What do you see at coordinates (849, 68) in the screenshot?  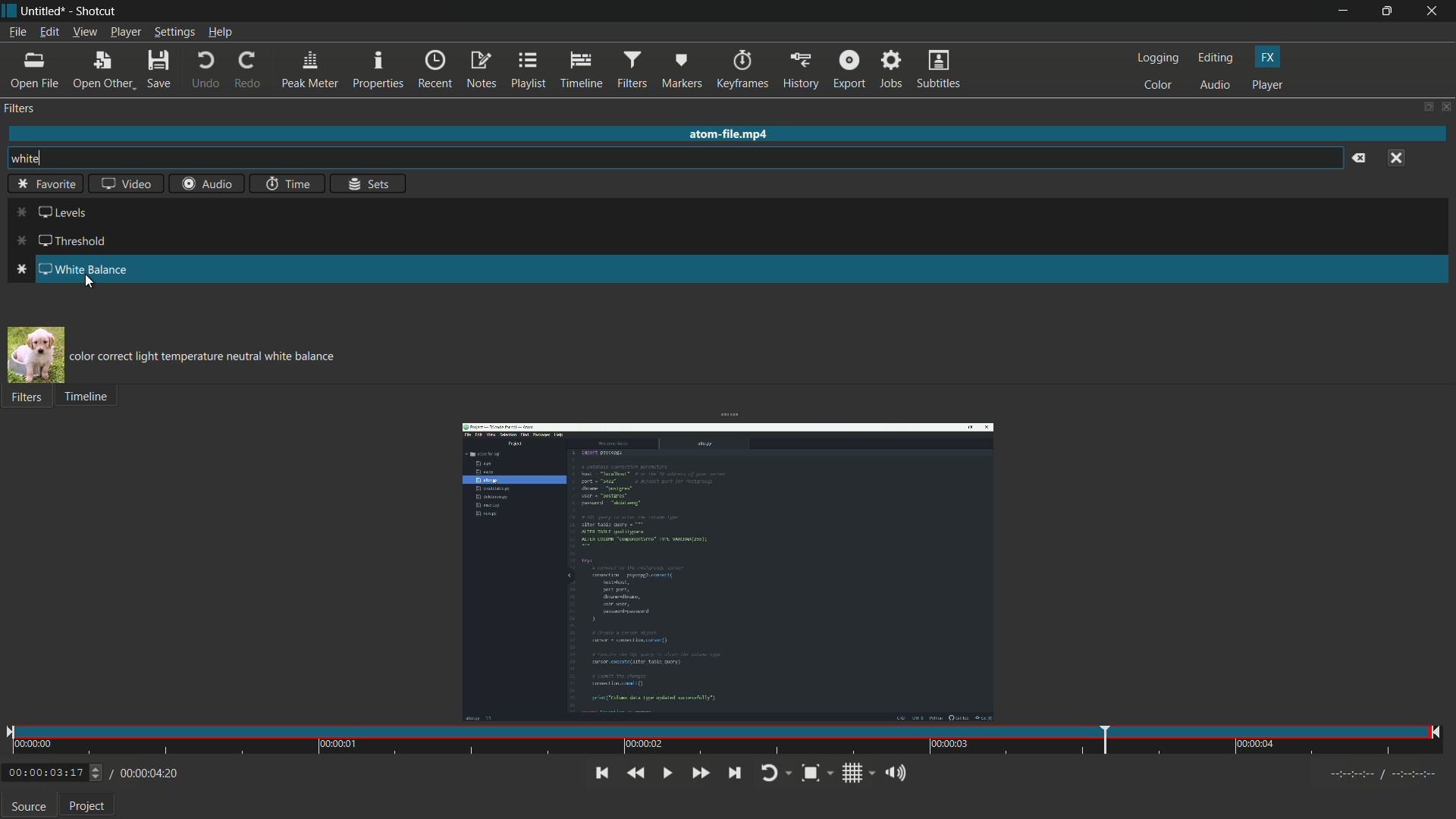 I see `export` at bounding box center [849, 68].